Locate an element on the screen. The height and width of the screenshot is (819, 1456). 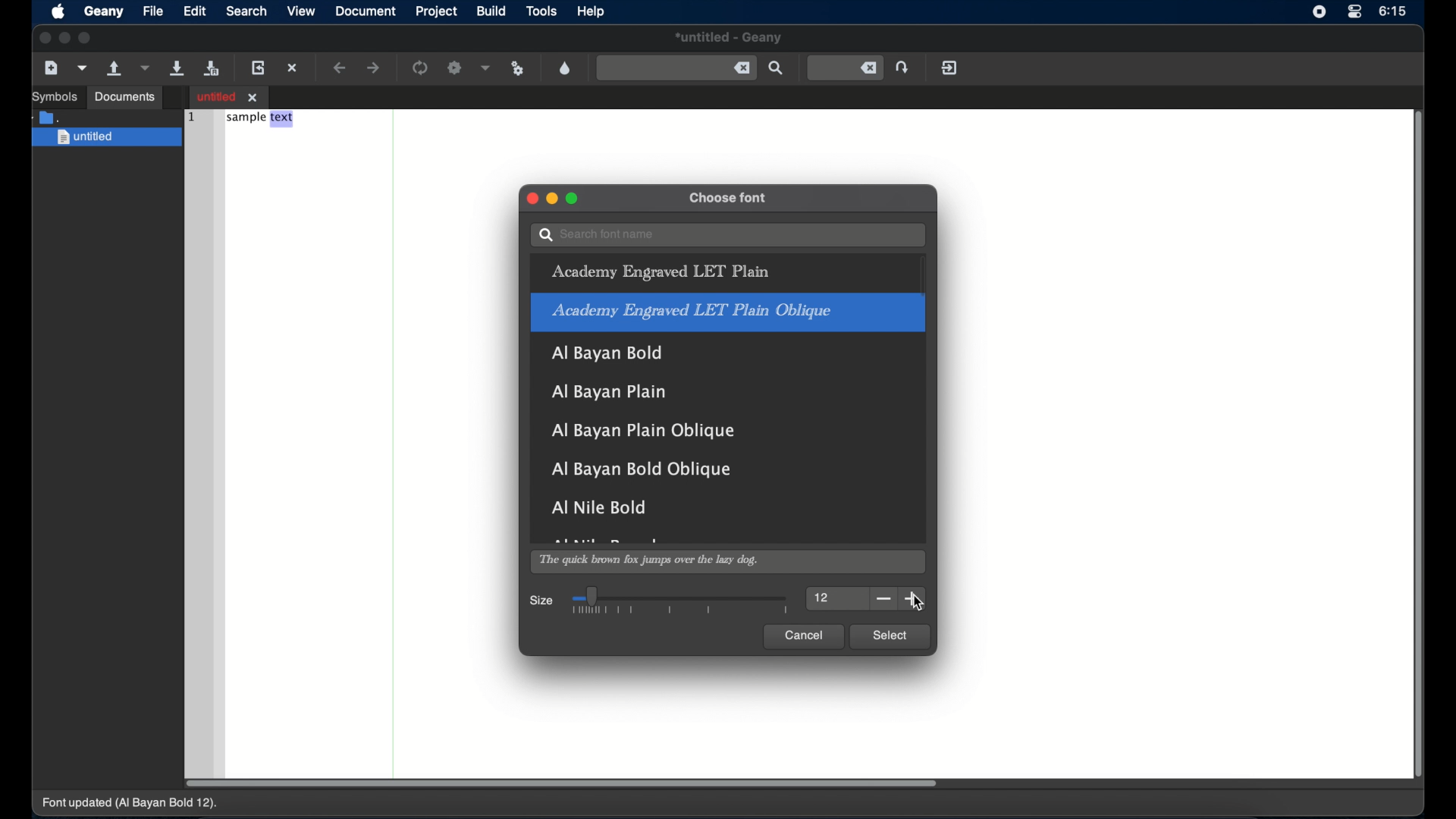
size is located at coordinates (542, 601).